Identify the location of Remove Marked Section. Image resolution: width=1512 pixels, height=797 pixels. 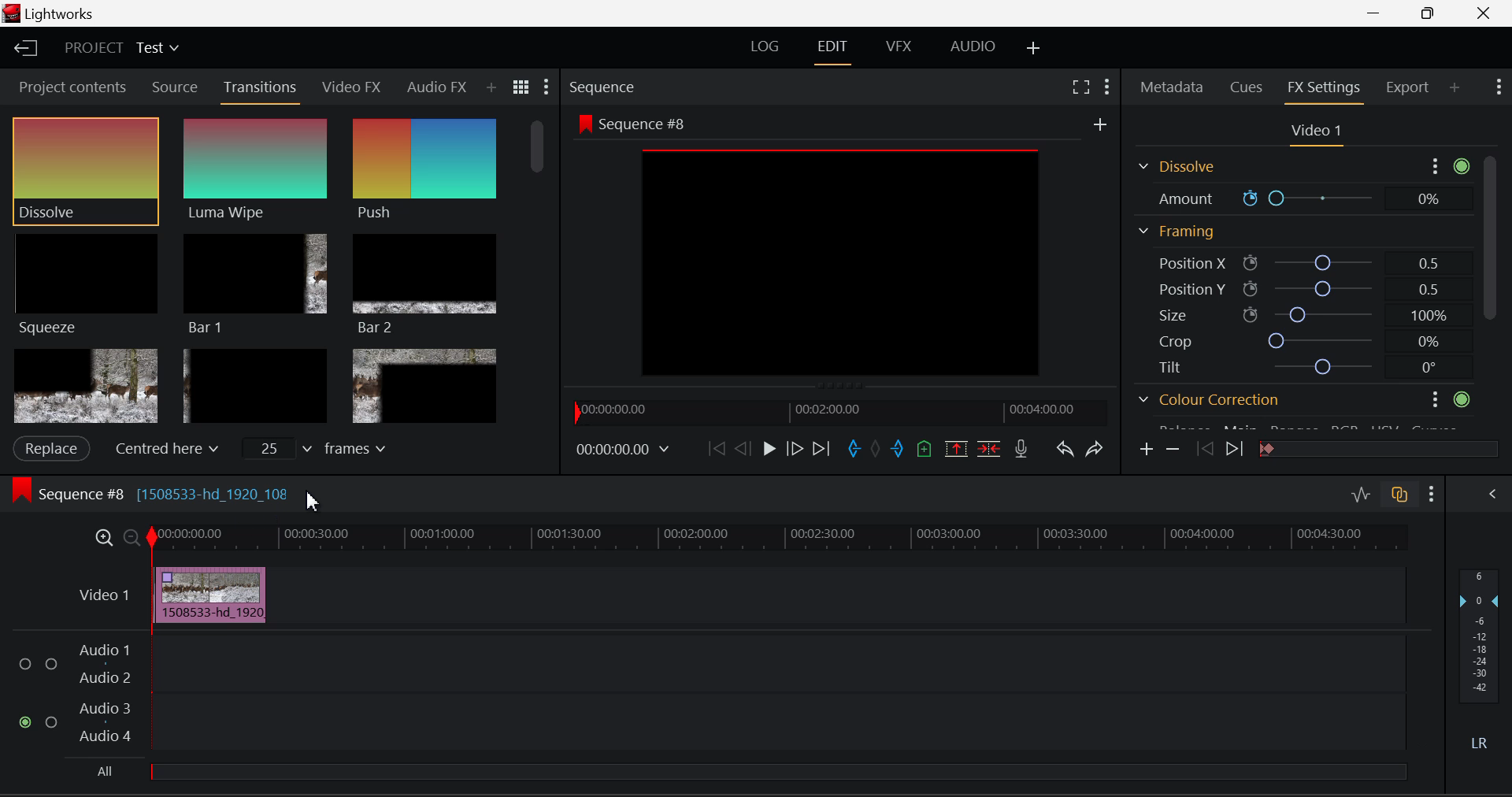
(955, 449).